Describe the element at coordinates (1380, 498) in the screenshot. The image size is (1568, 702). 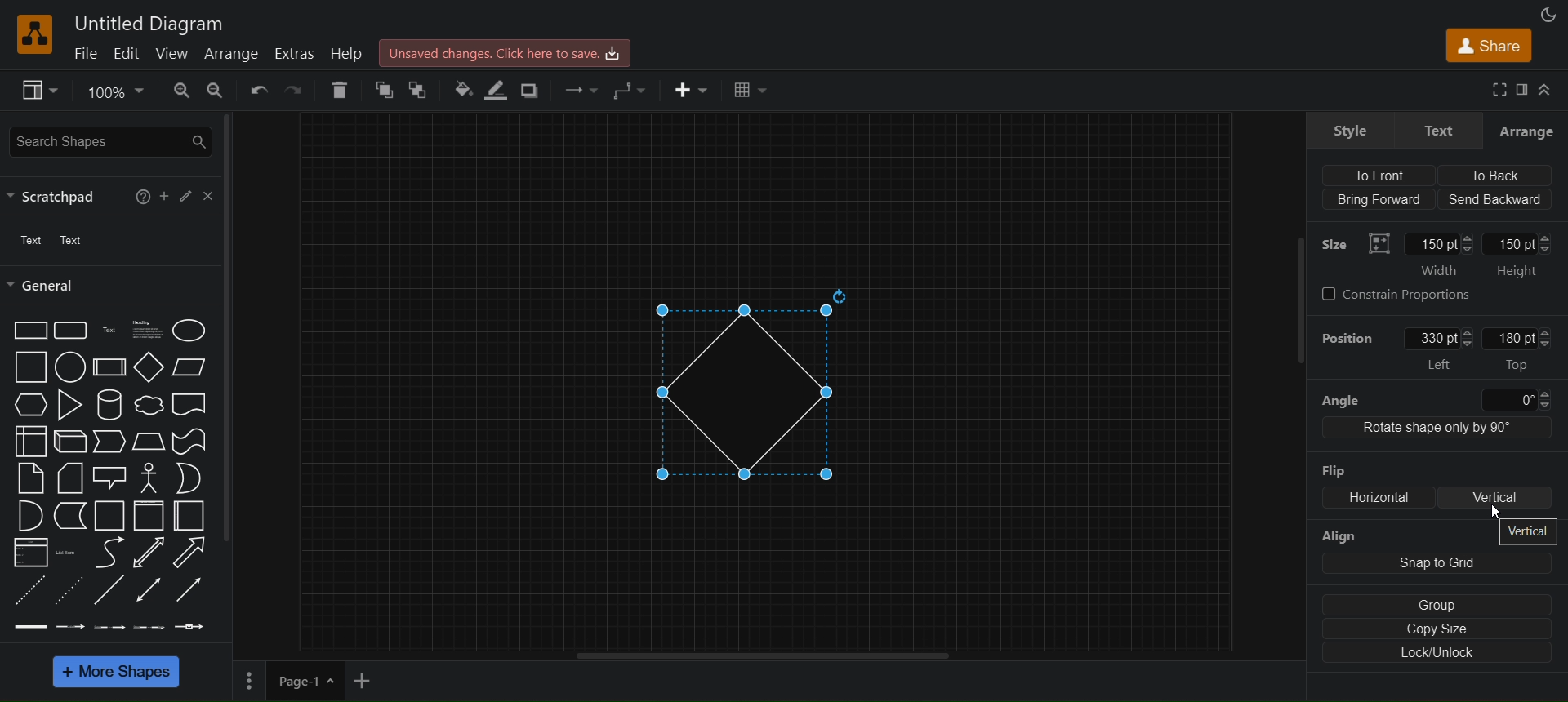
I see `horizontal` at that location.